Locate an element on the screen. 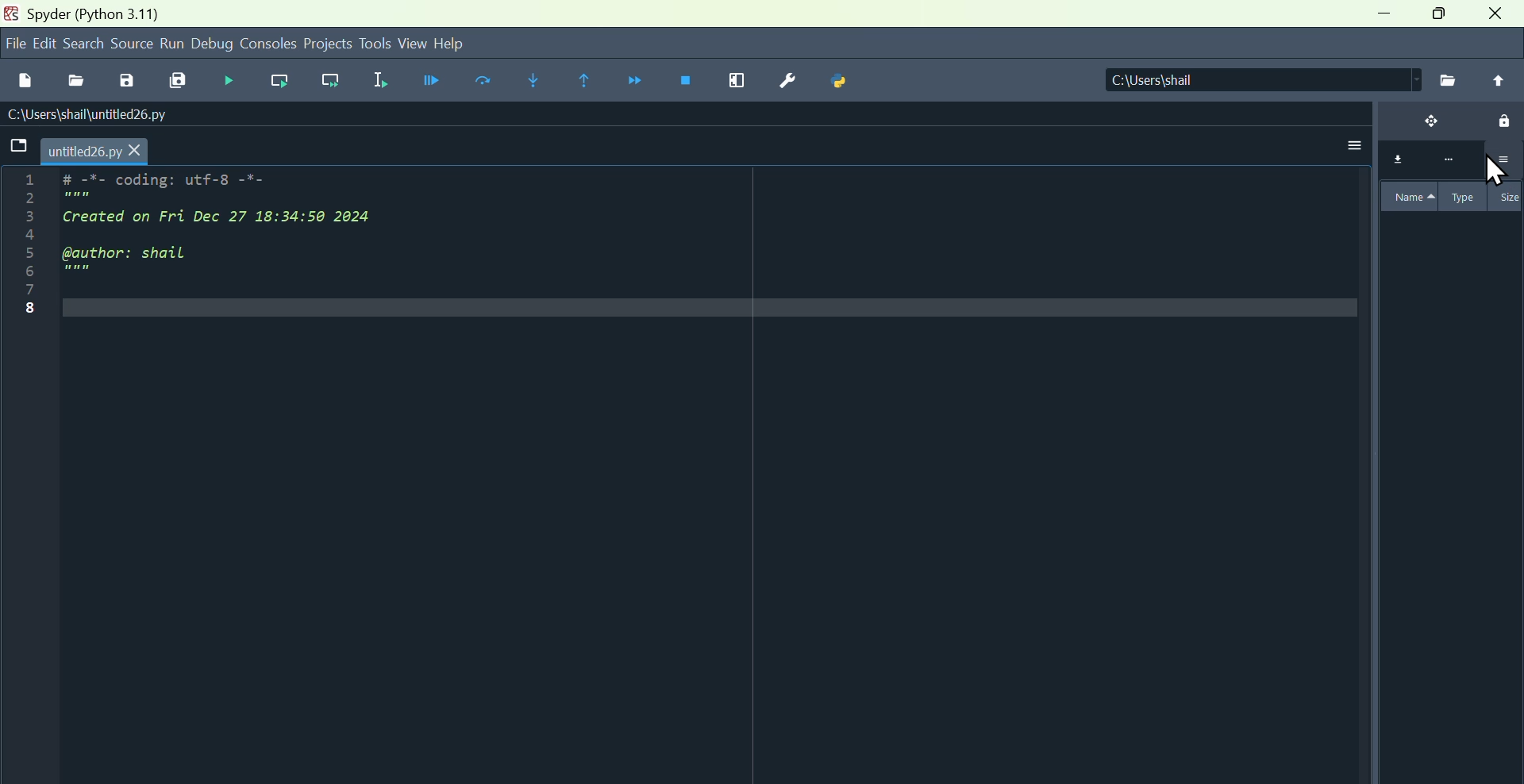 The width and height of the screenshot is (1524, 784). Source is located at coordinates (132, 44).